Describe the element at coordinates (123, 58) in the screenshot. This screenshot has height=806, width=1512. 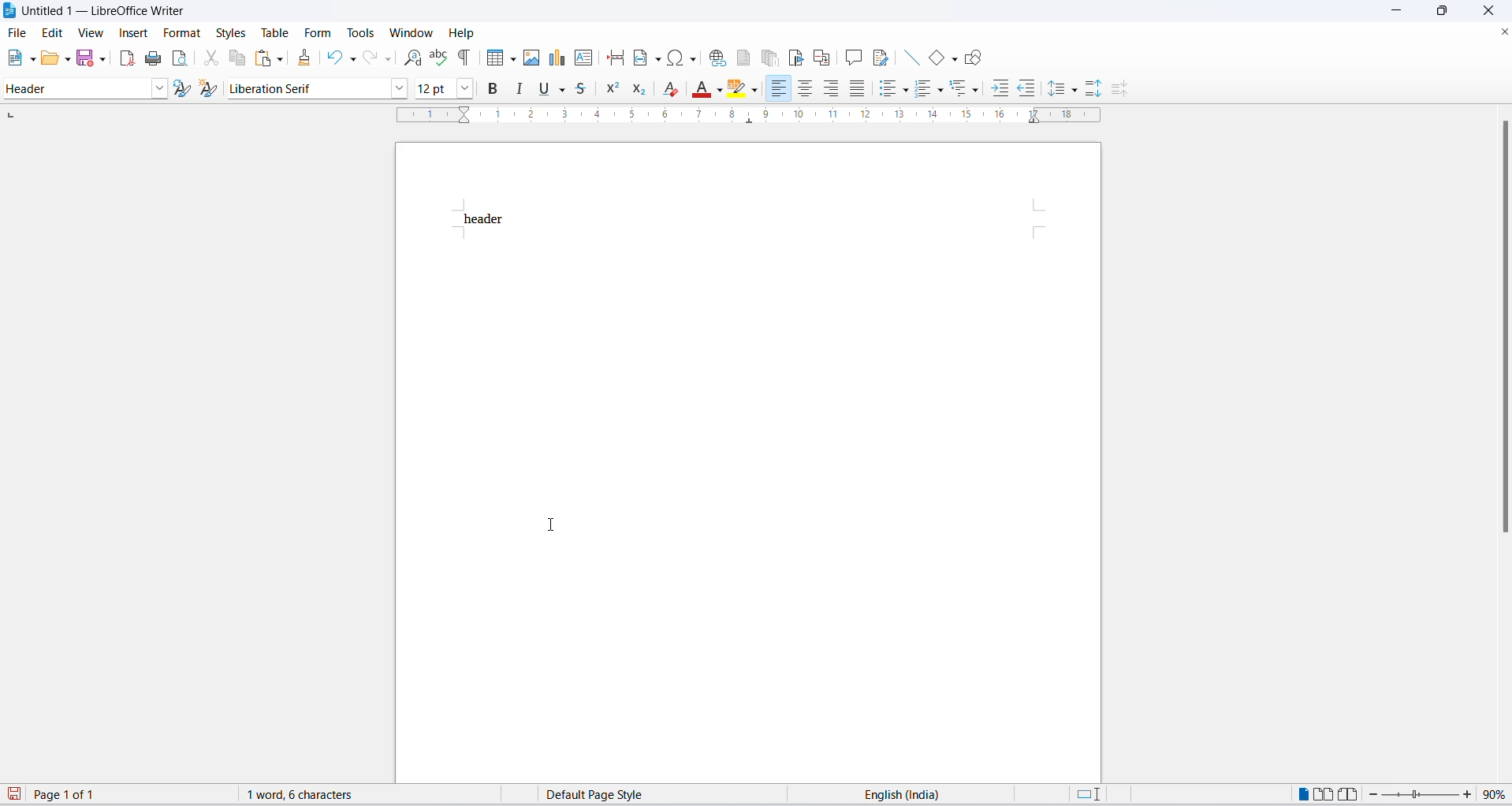
I see `exports as pdf` at that location.